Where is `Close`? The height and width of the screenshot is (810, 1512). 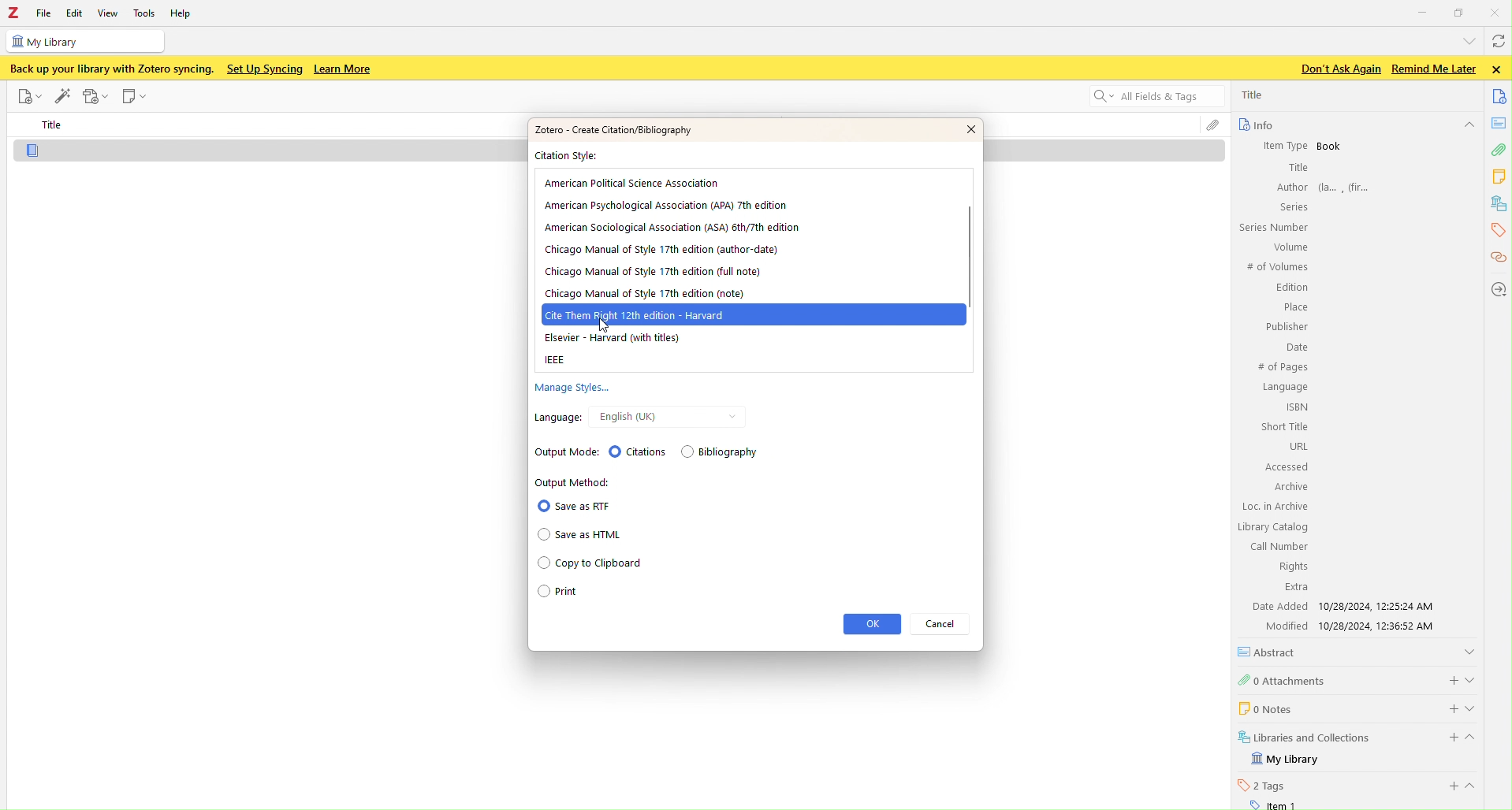
Close is located at coordinates (1497, 12).